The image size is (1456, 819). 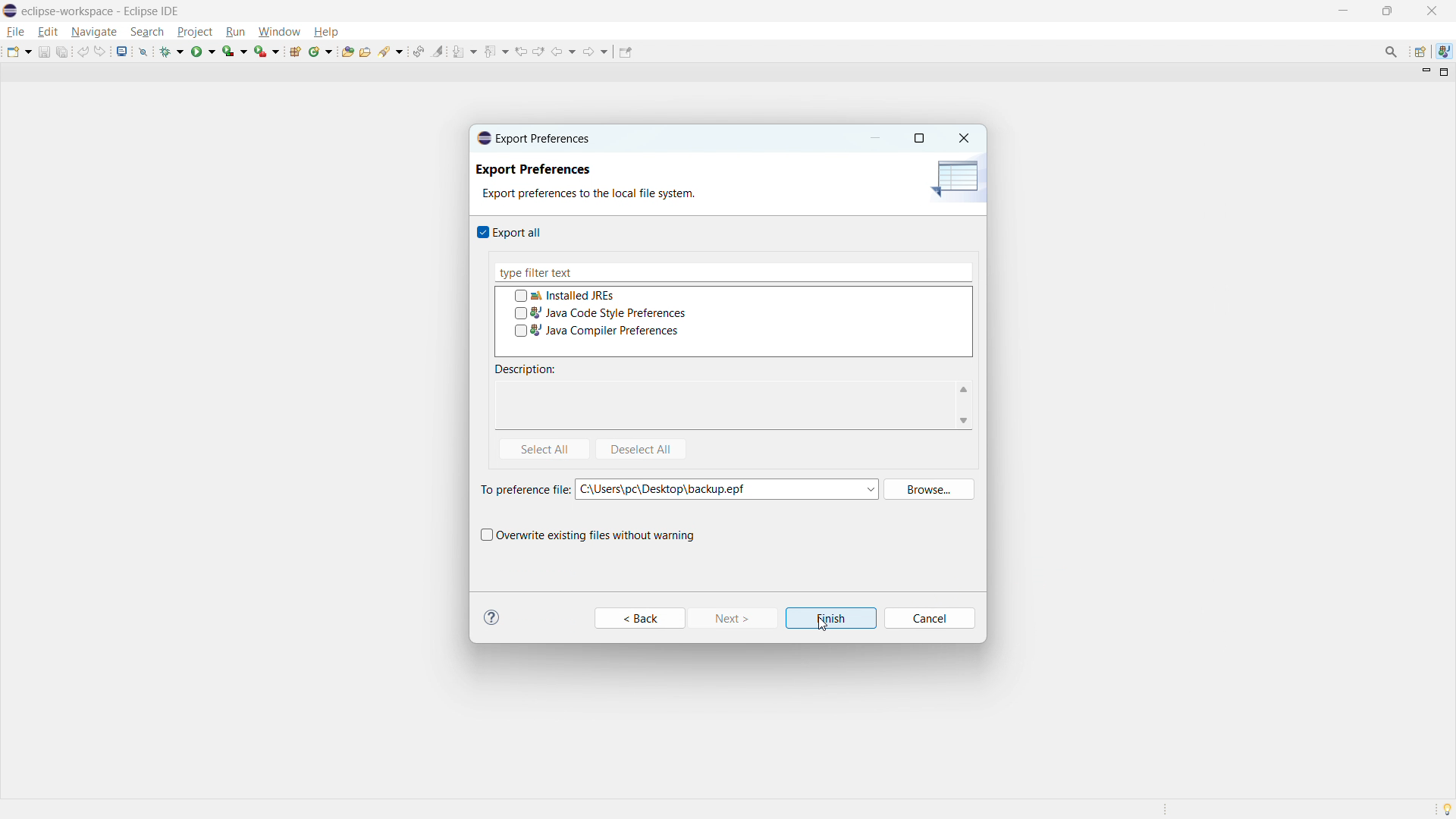 What do you see at coordinates (963, 184) in the screenshot?
I see `icon` at bounding box center [963, 184].